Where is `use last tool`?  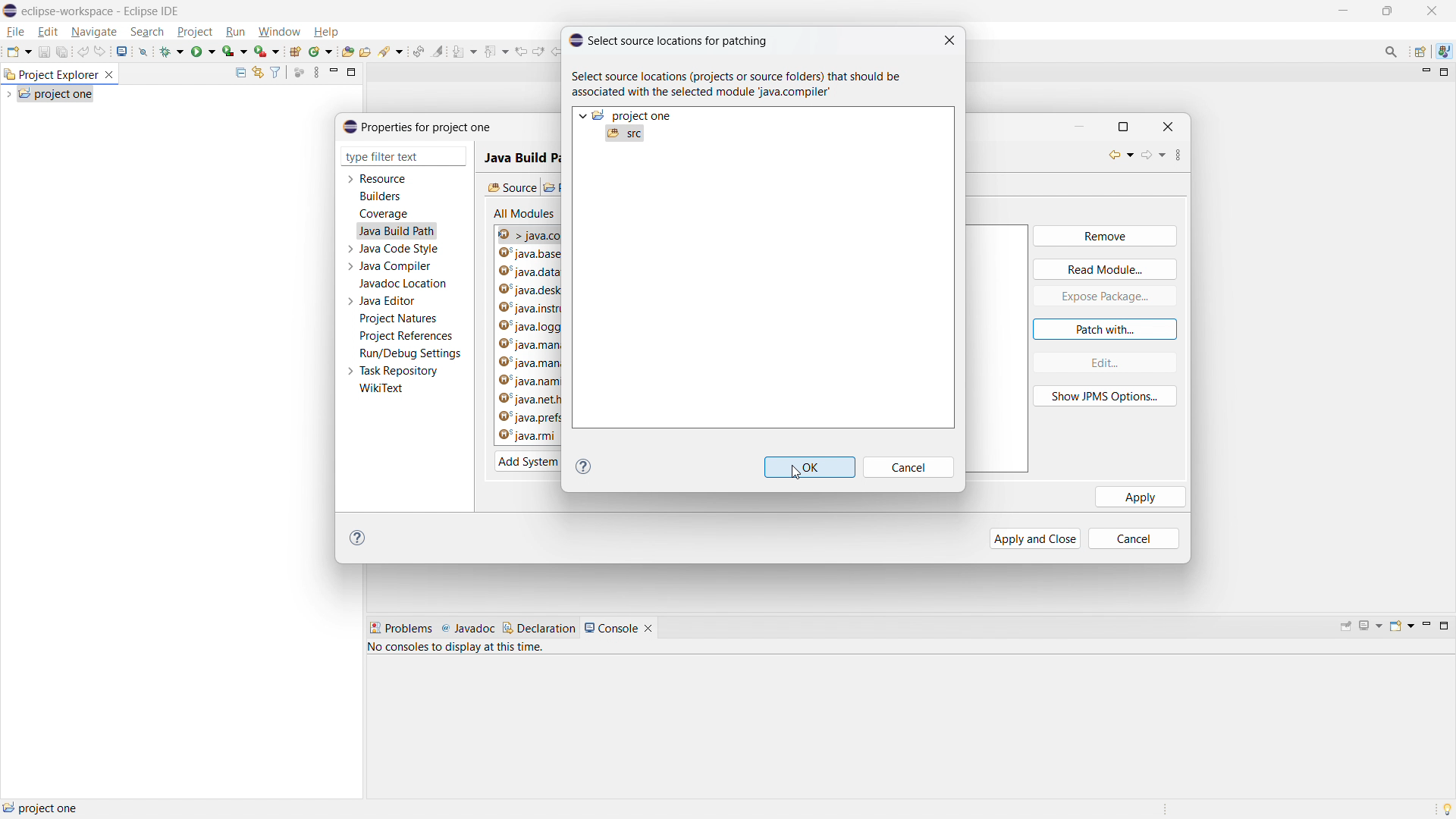
use last tool is located at coordinates (266, 52).